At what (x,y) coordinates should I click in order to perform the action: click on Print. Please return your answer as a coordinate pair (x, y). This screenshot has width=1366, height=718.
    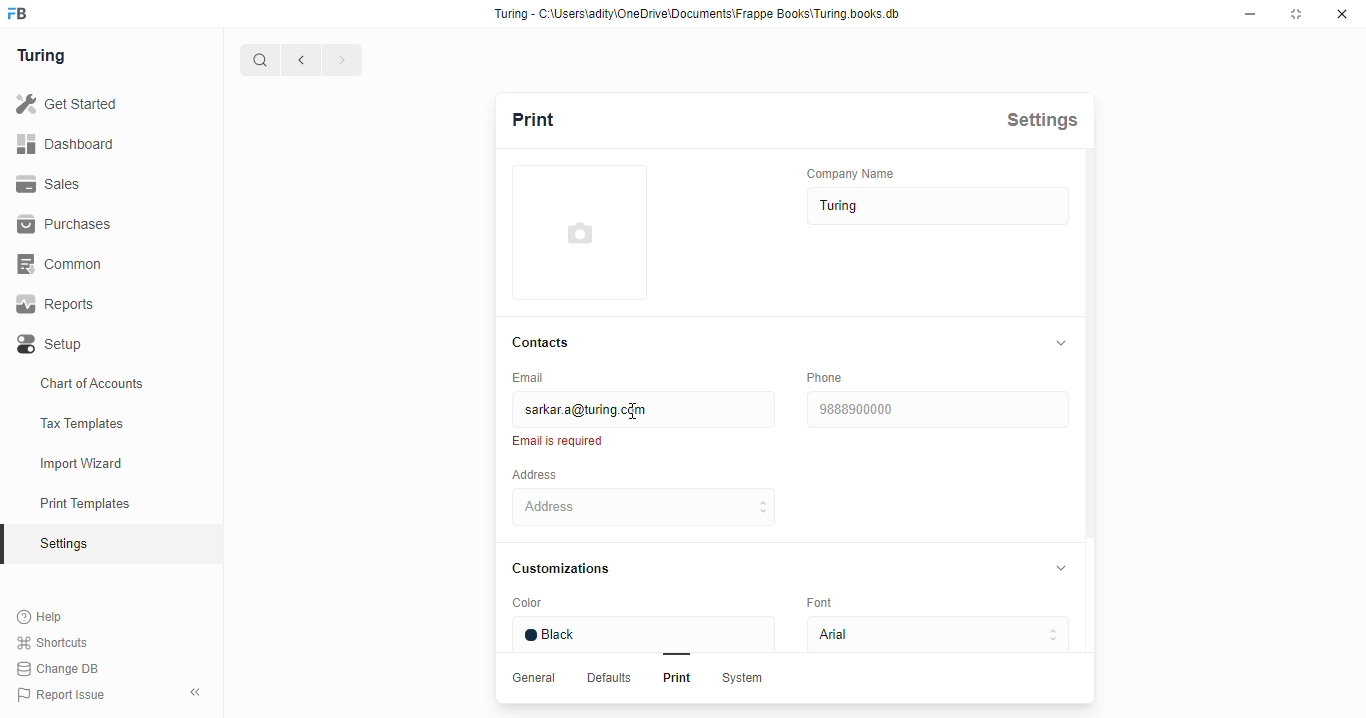
    Looking at the image, I should click on (558, 118).